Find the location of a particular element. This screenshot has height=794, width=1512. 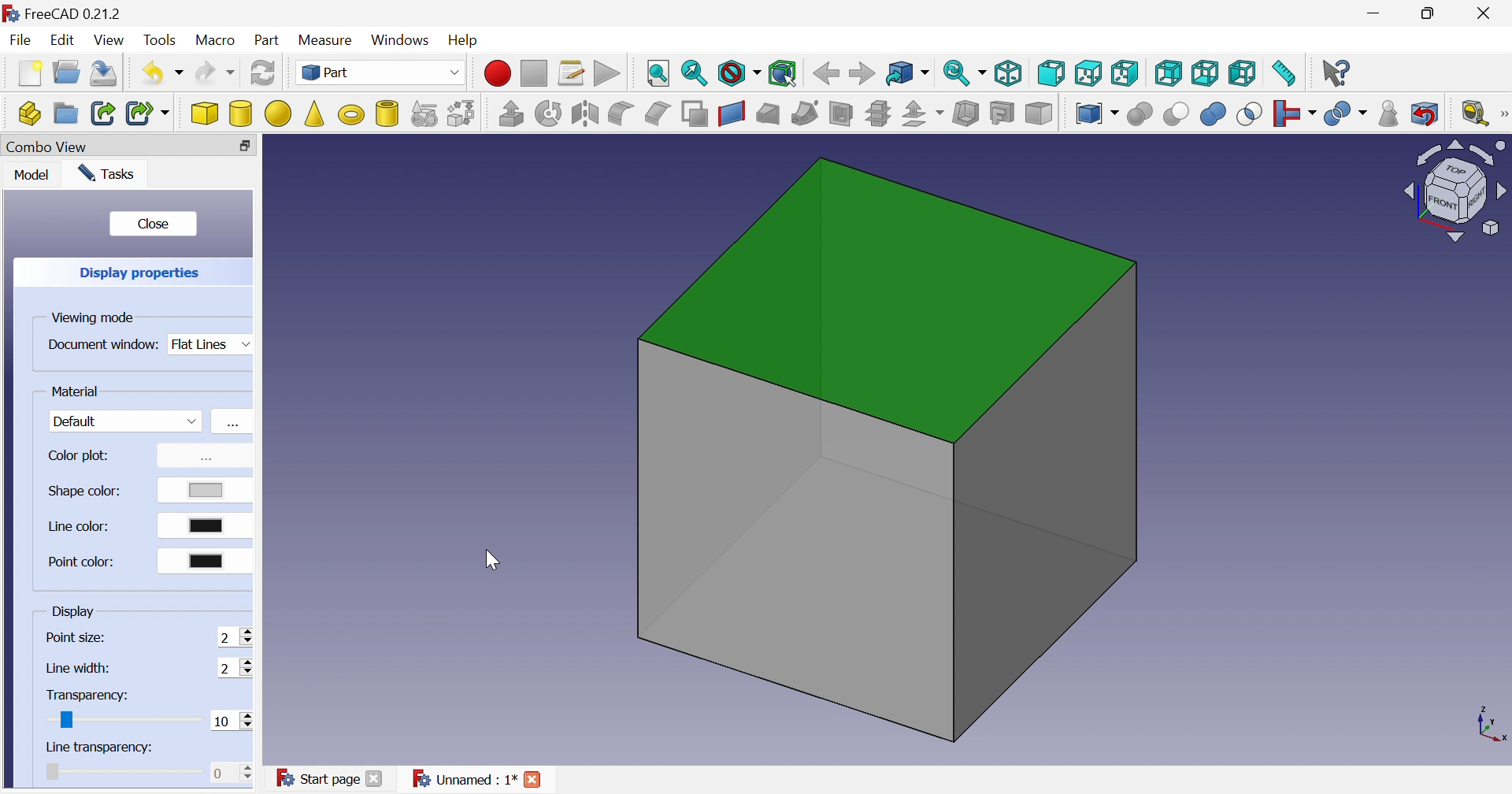

Display properties is located at coordinates (145, 272).